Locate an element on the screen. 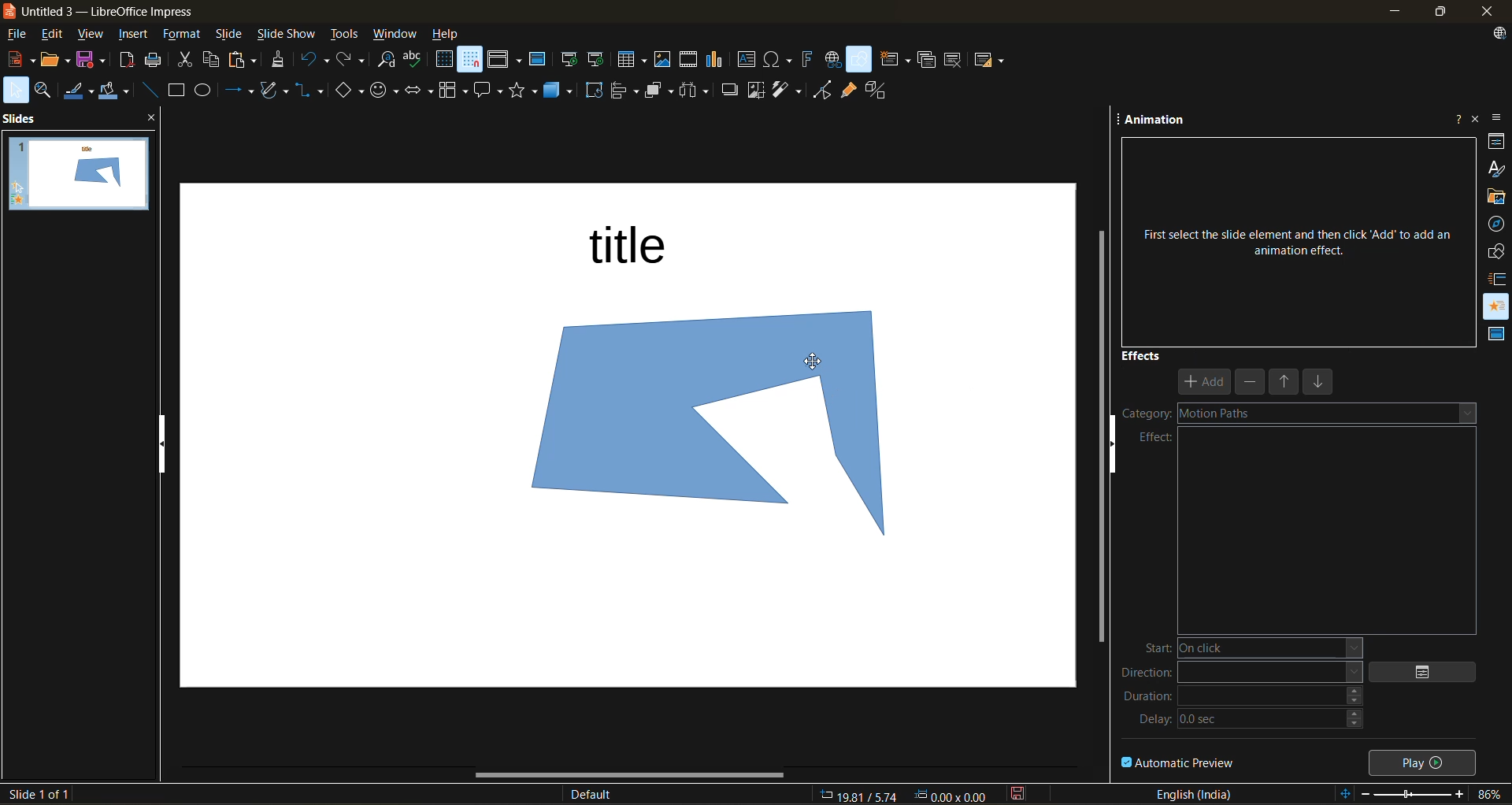  copy is located at coordinates (213, 61).